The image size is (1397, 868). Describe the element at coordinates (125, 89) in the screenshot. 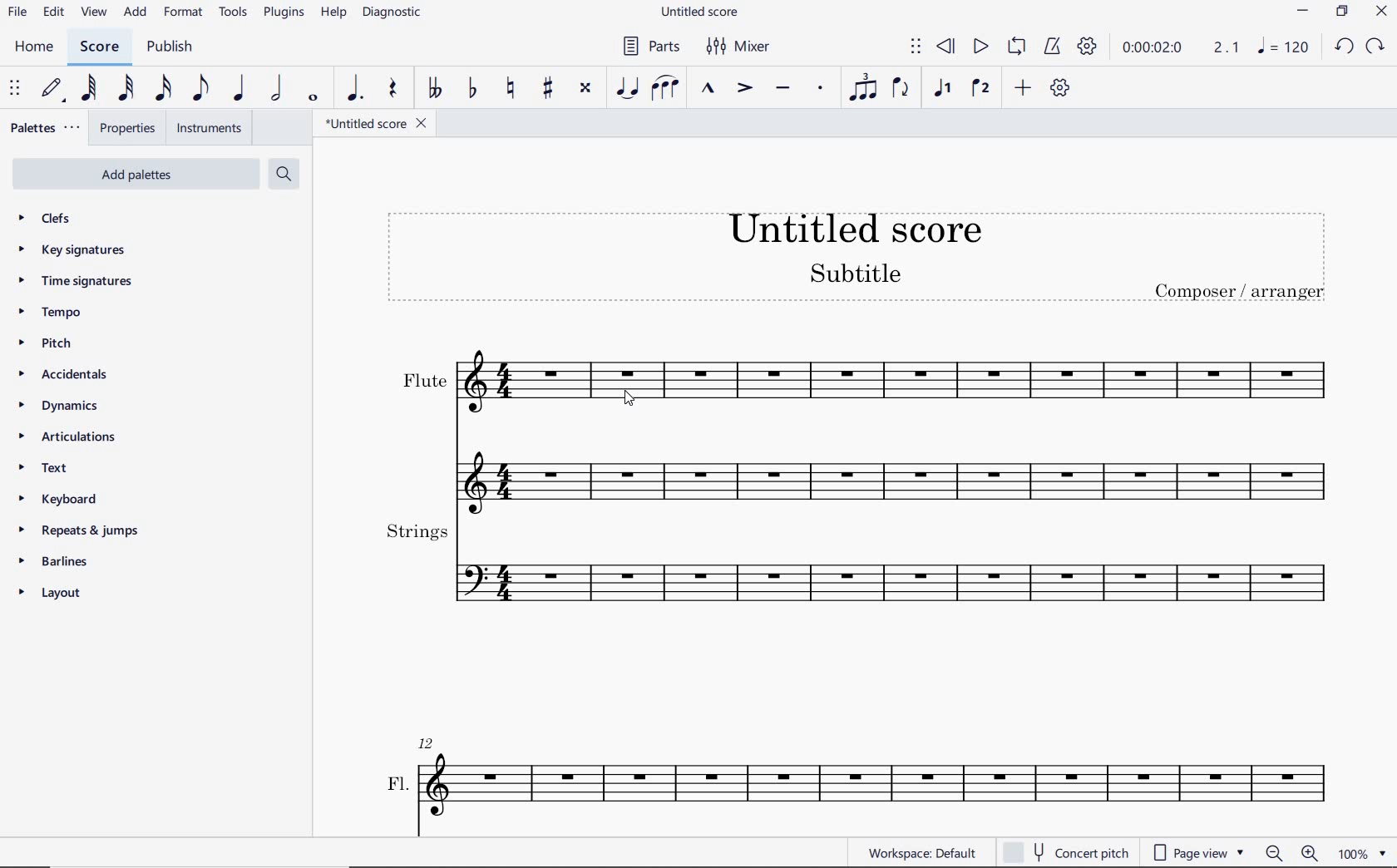

I see `32ND NOTE` at that location.